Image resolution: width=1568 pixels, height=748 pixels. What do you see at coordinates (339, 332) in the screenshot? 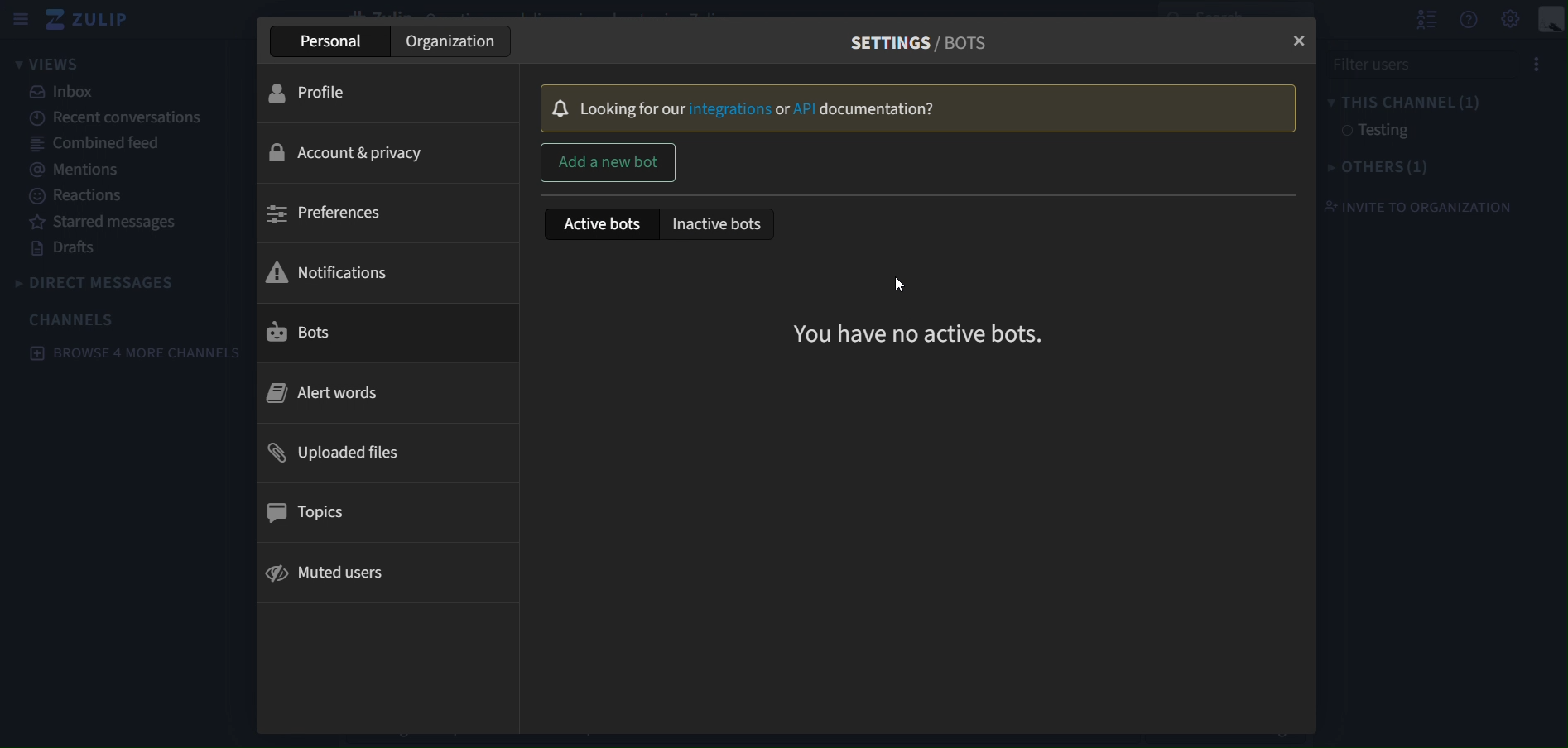
I see `bots` at bounding box center [339, 332].